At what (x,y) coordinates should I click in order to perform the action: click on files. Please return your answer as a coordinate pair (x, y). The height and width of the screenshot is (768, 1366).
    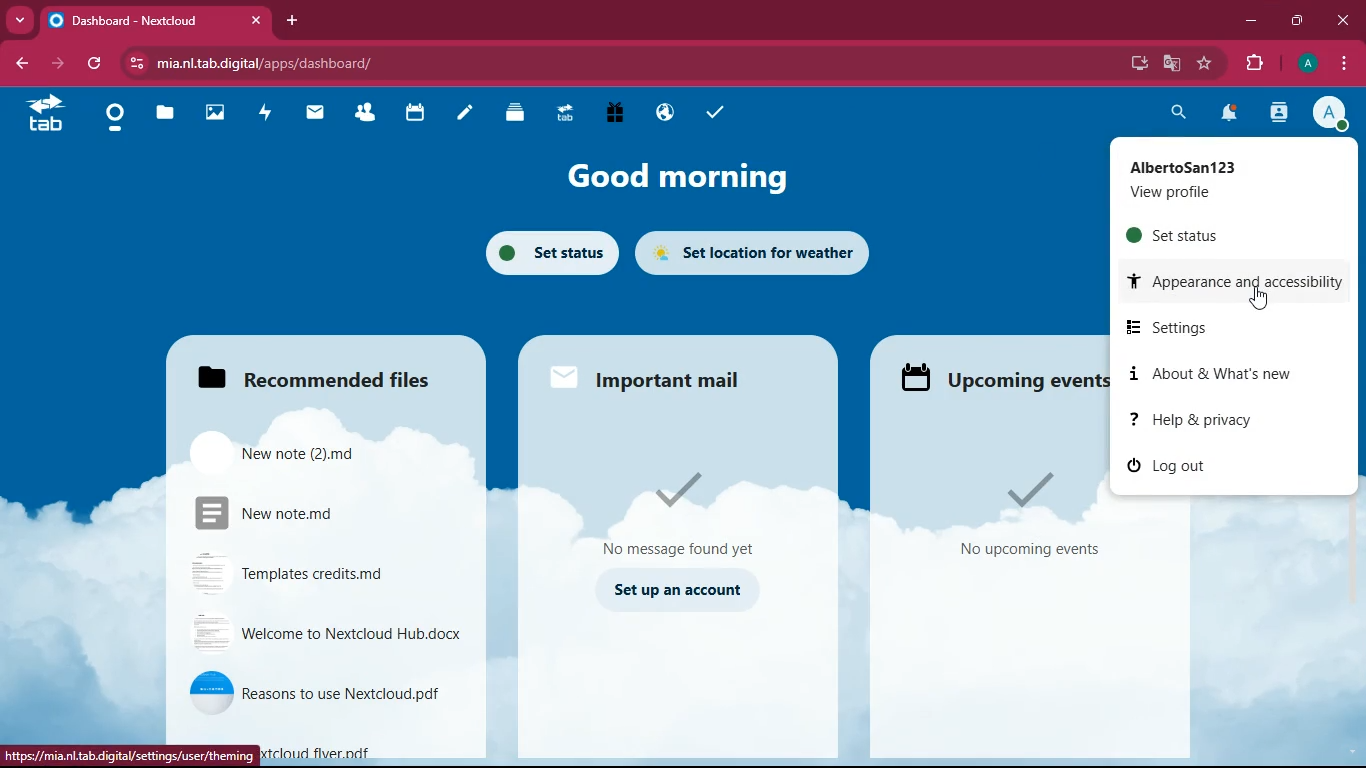
    Looking at the image, I should click on (322, 373).